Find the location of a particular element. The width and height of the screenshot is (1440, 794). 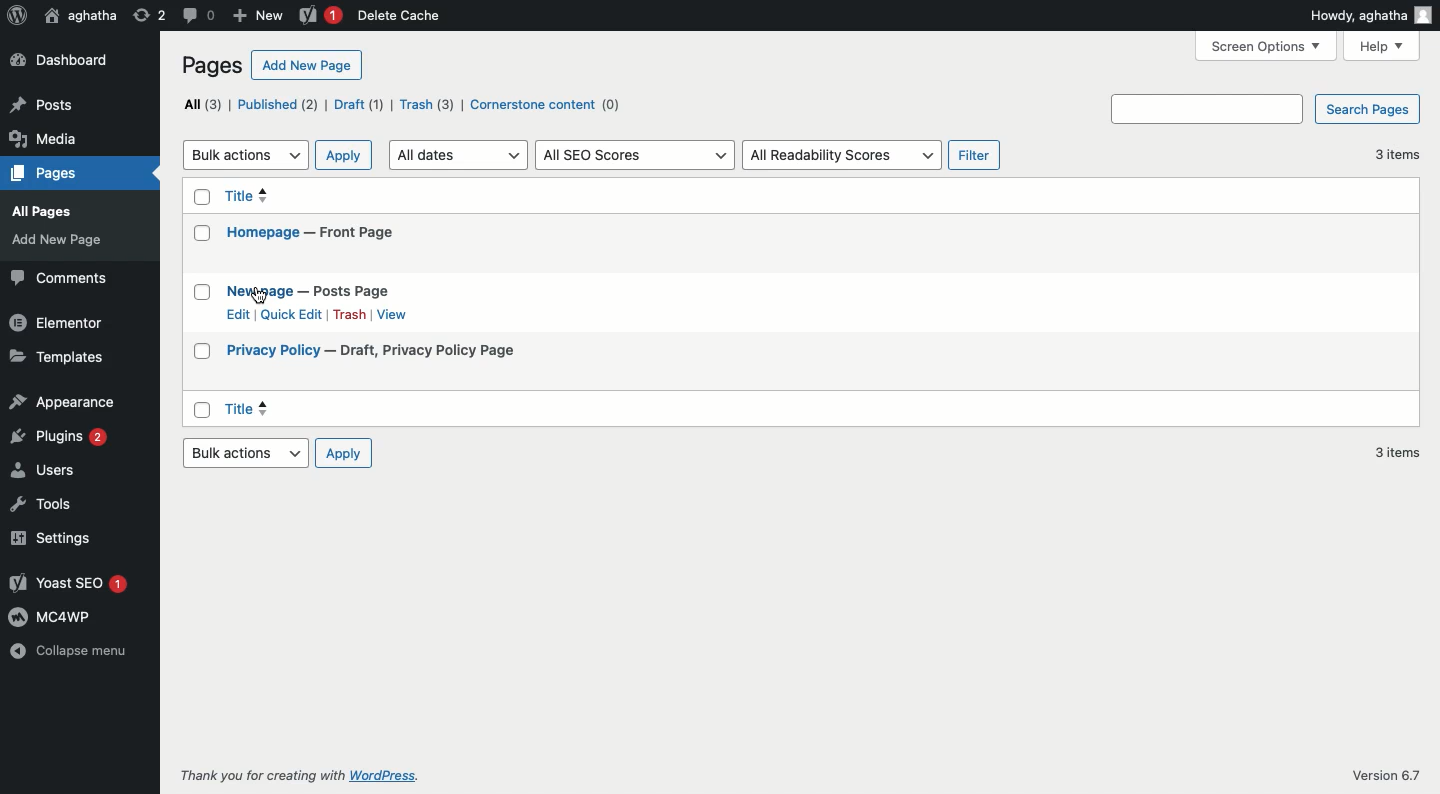

User is located at coordinates (80, 16).